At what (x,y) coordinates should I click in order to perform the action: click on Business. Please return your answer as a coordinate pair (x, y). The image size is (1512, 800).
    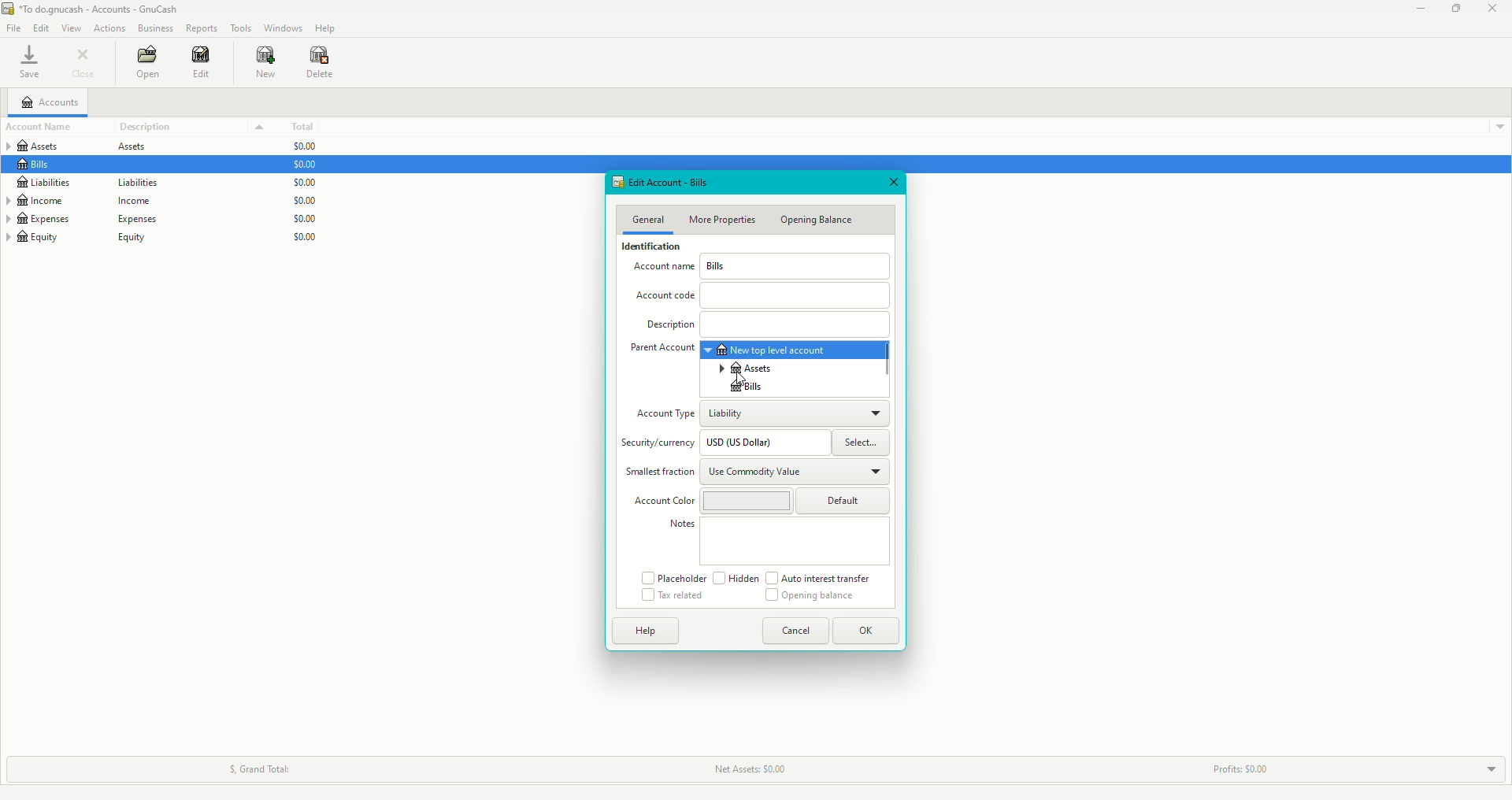
    Looking at the image, I should click on (156, 28).